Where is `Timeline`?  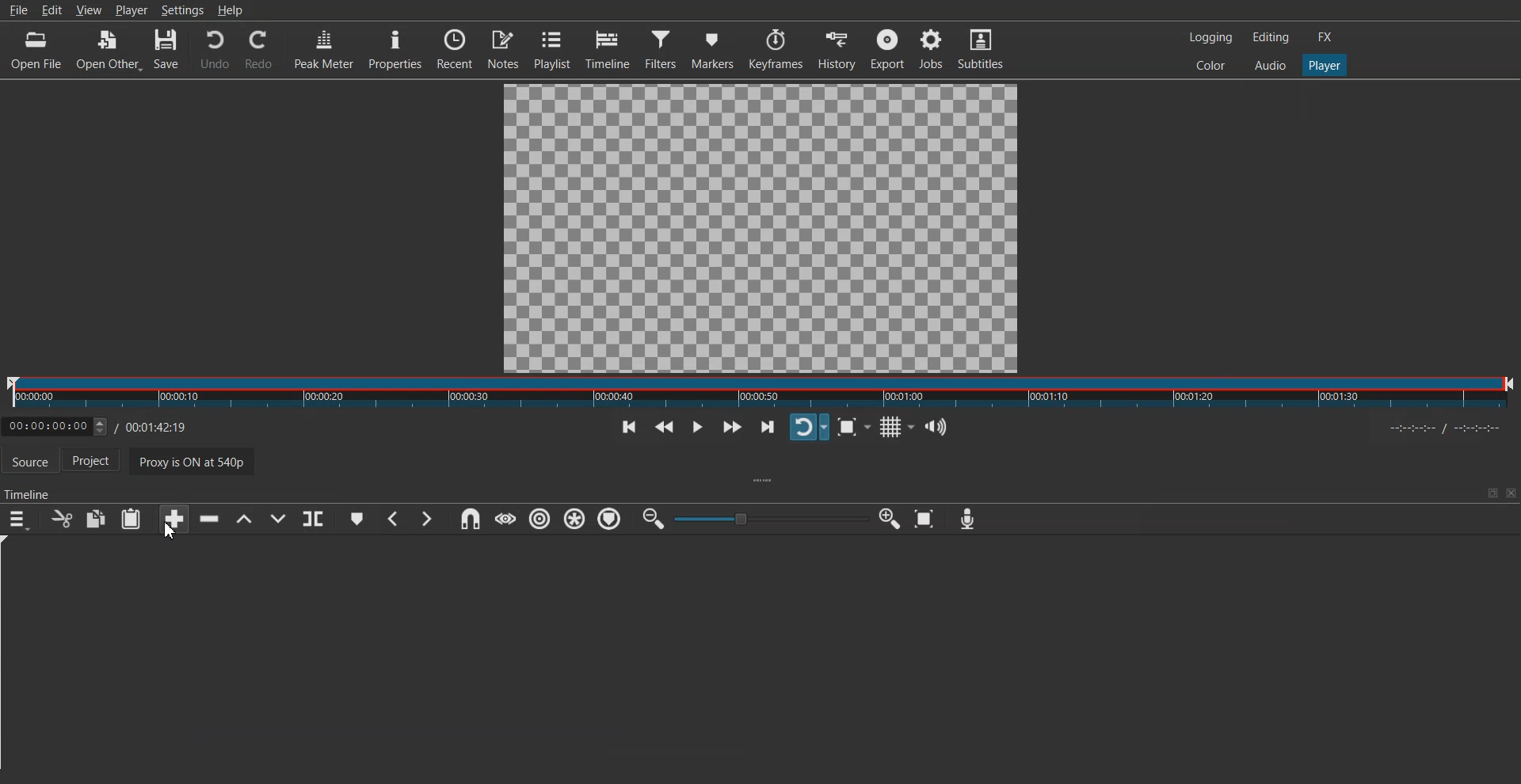 Timeline is located at coordinates (608, 49).